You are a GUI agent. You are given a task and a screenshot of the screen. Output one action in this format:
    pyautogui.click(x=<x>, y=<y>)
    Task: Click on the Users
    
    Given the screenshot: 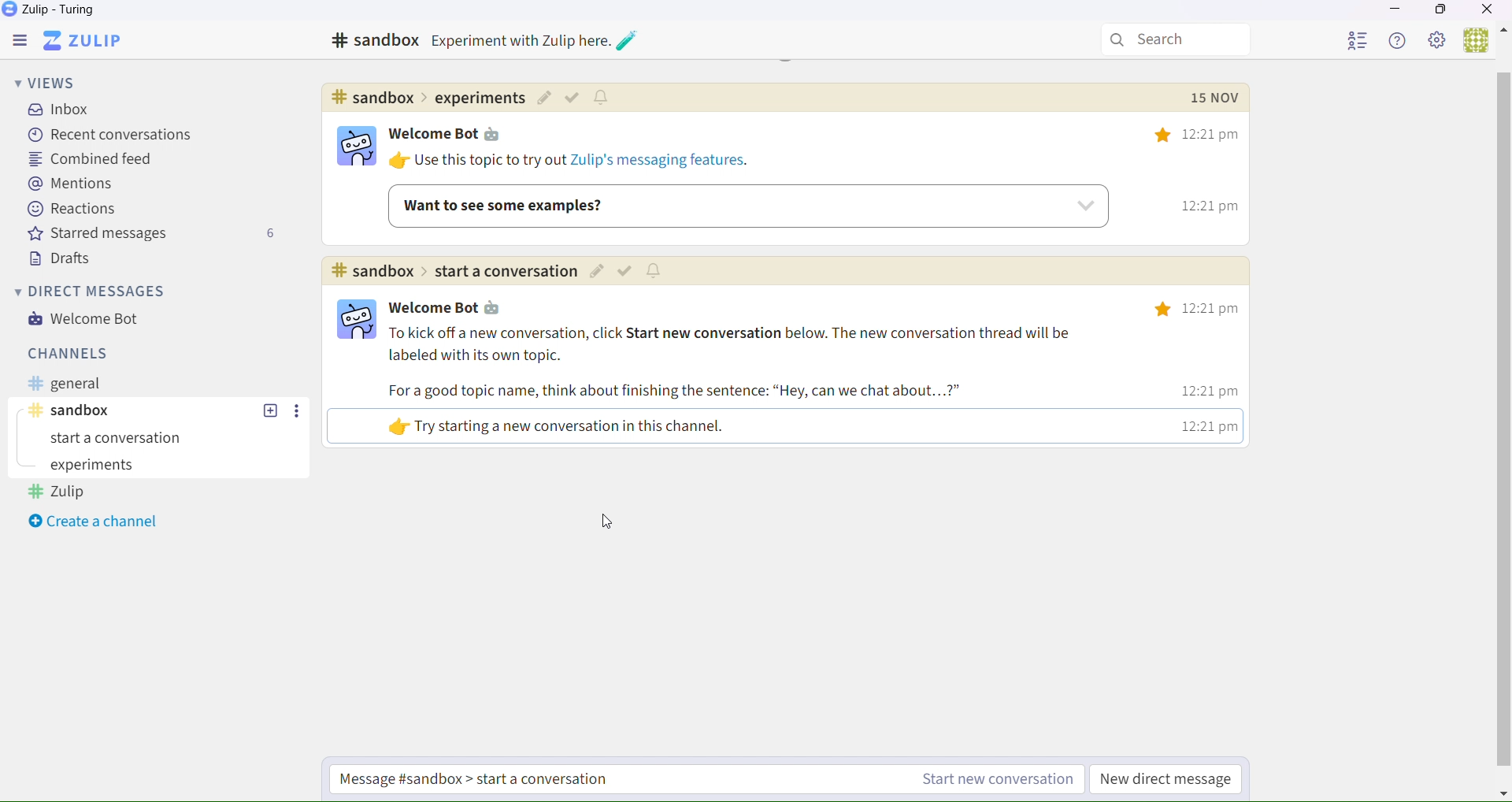 What is the action you would take?
    pyautogui.click(x=1476, y=41)
    